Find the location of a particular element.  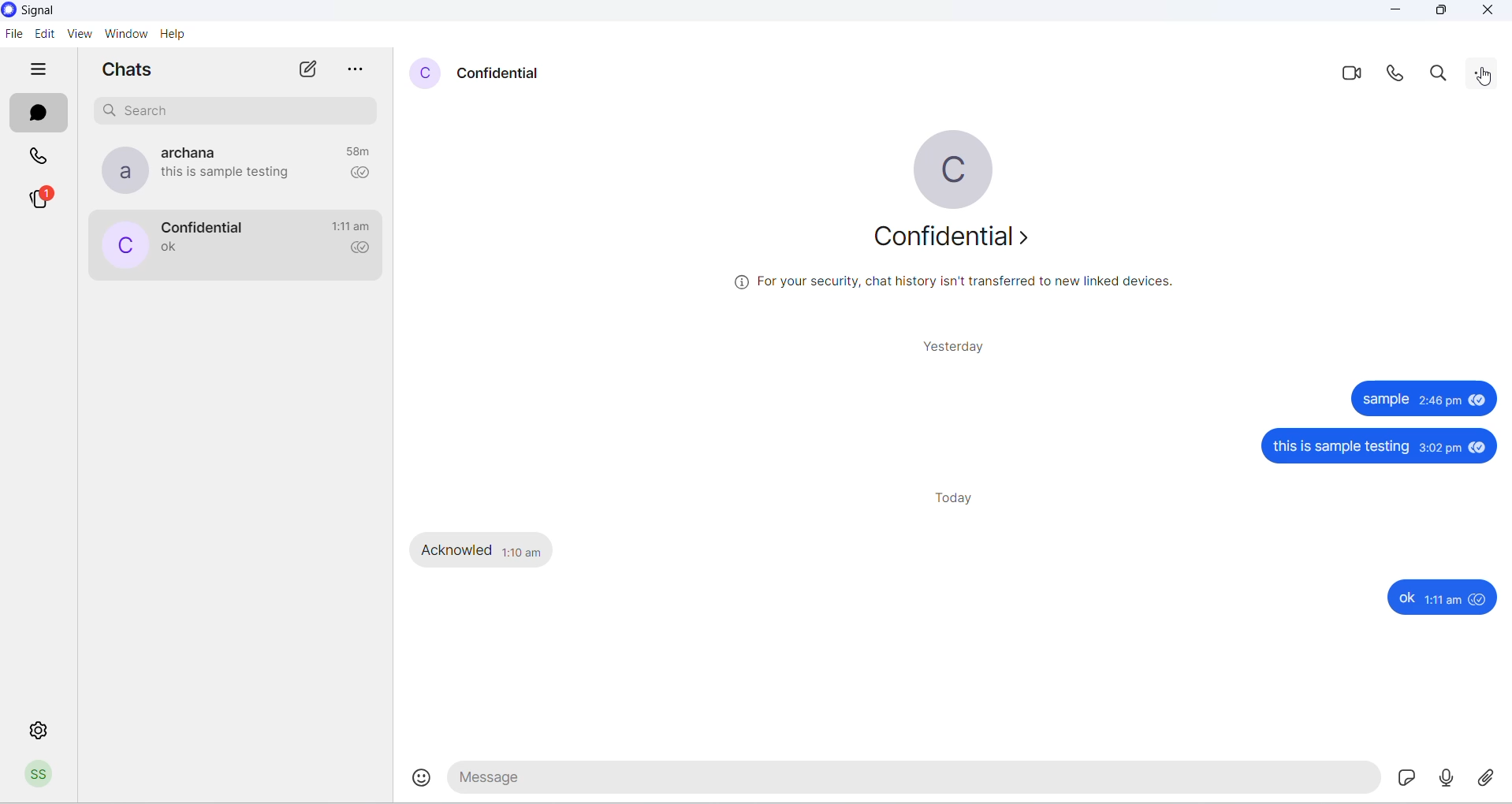

Acknowled is located at coordinates (457, 549).